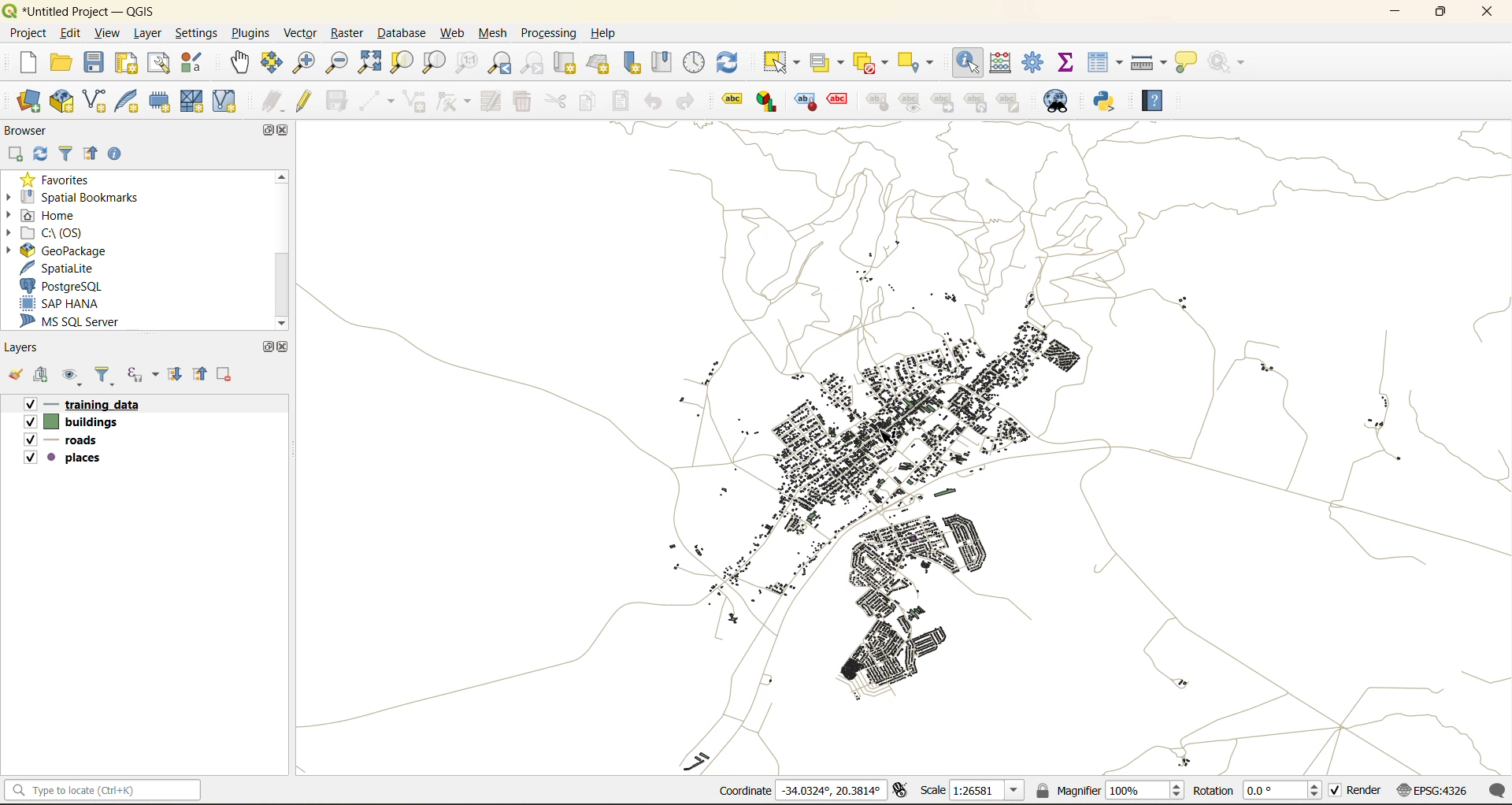  What do you see at coordinates (731, 65) in the screenshot?
I see `refresh` at bounding box center [731, 65].